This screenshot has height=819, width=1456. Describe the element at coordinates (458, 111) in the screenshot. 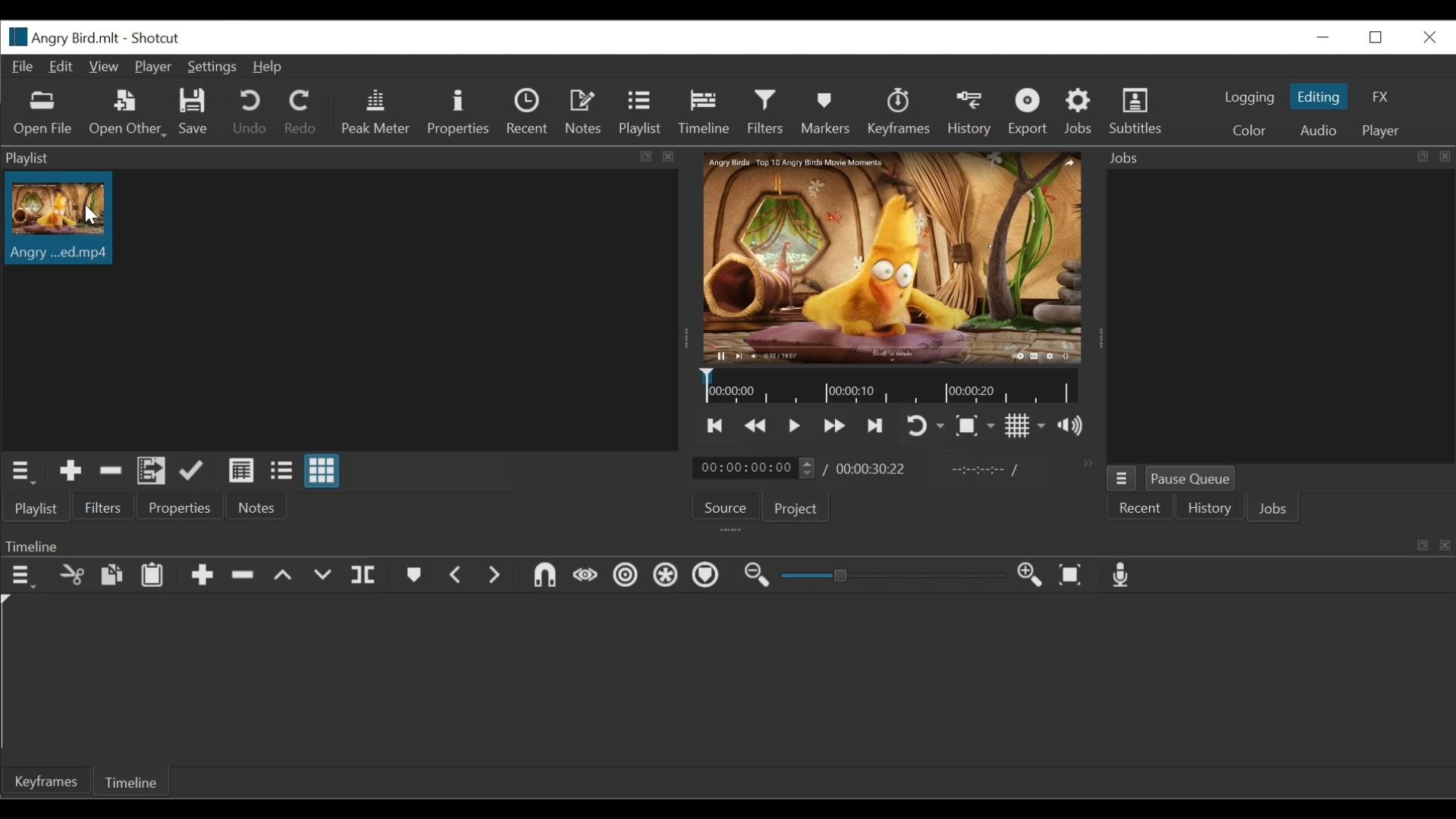

I see `Properties` at that location.